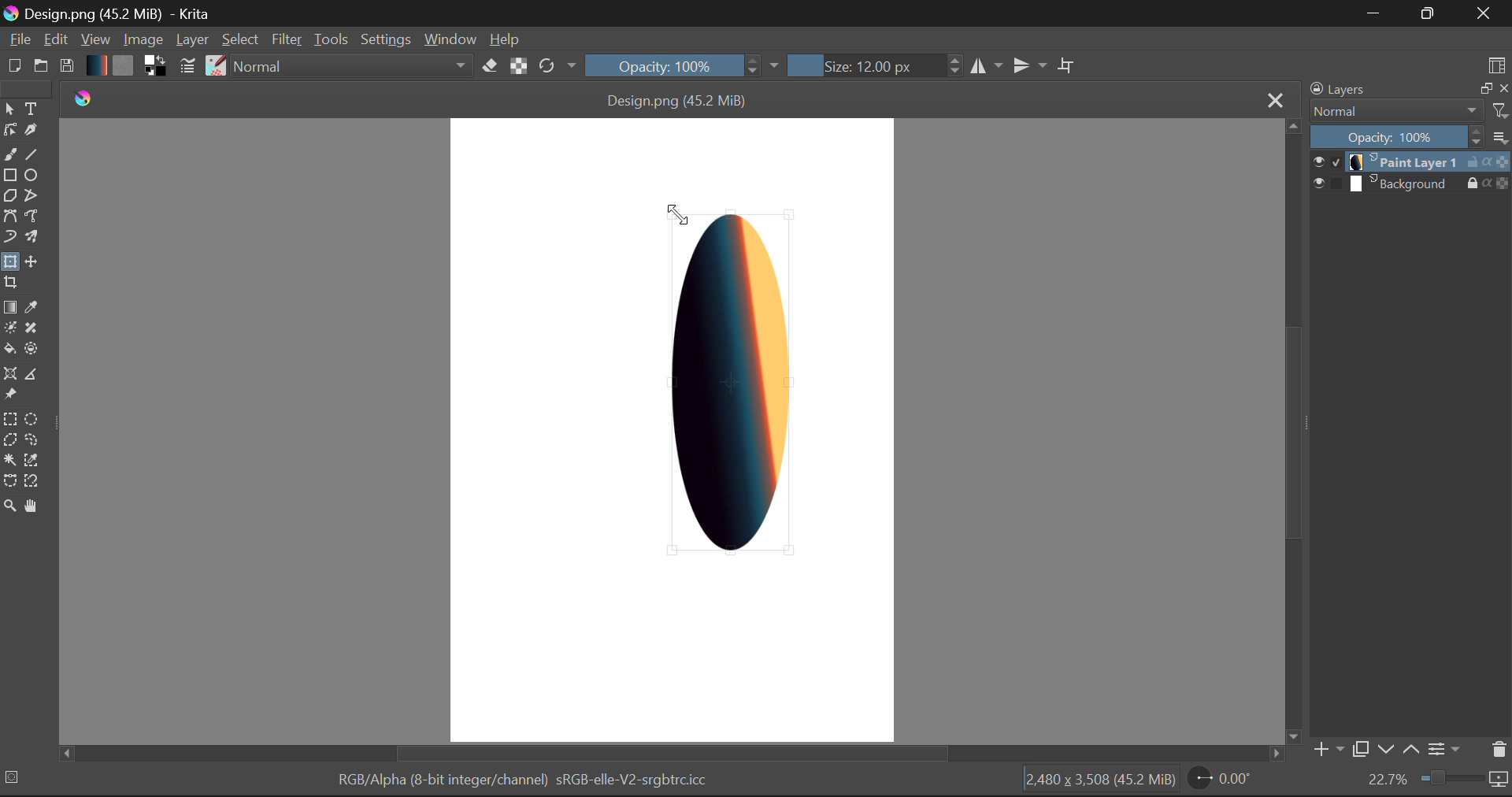 This screenshot has height=797, width=1512. What do you see at coordinates (1327, 750) in the screenshot?
I see `Add Layer` at bounding box center [1327, 750].